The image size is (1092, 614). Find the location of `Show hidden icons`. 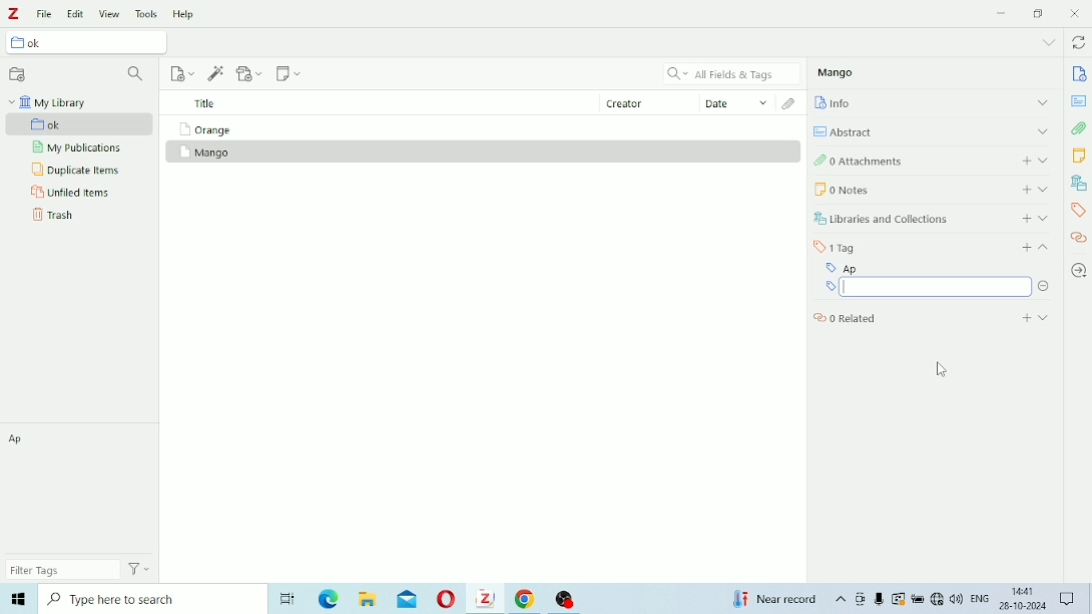

Show hidden icons is located at coordinates (841, 600).